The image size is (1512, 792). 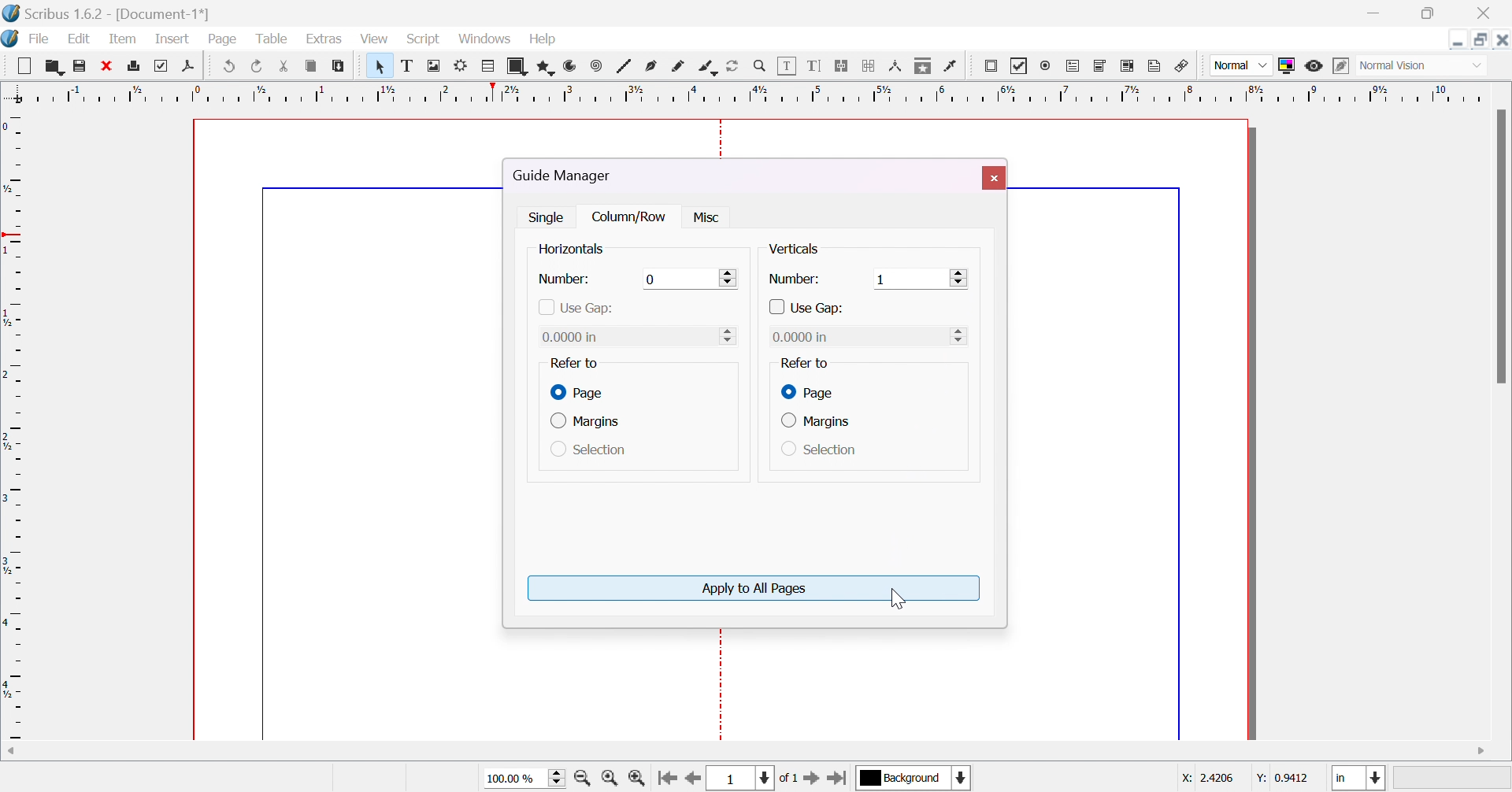 I want to click on page, so click(x=580, y=393).